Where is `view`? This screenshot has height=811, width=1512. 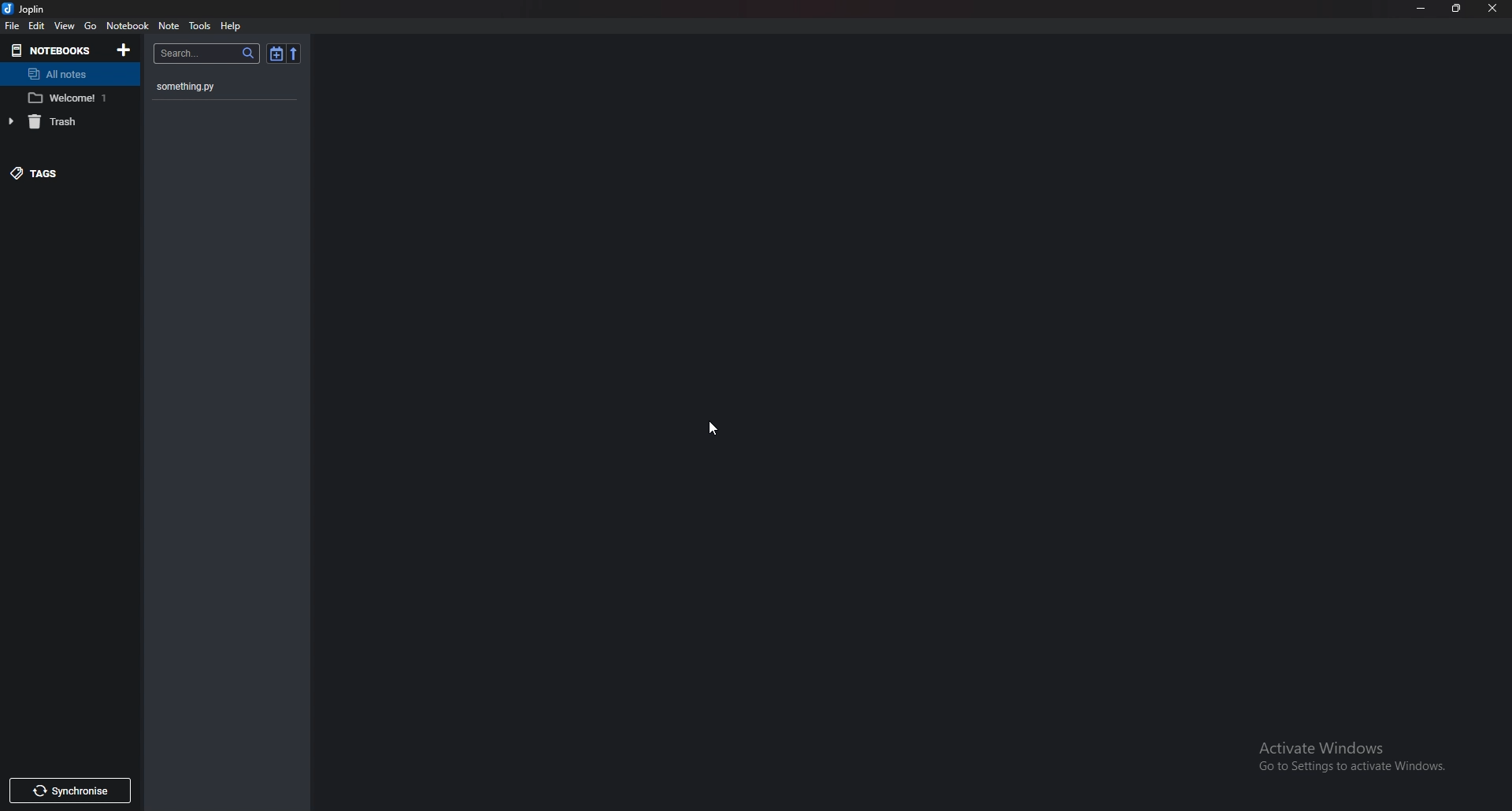
view is located at coordinates (64, 25).